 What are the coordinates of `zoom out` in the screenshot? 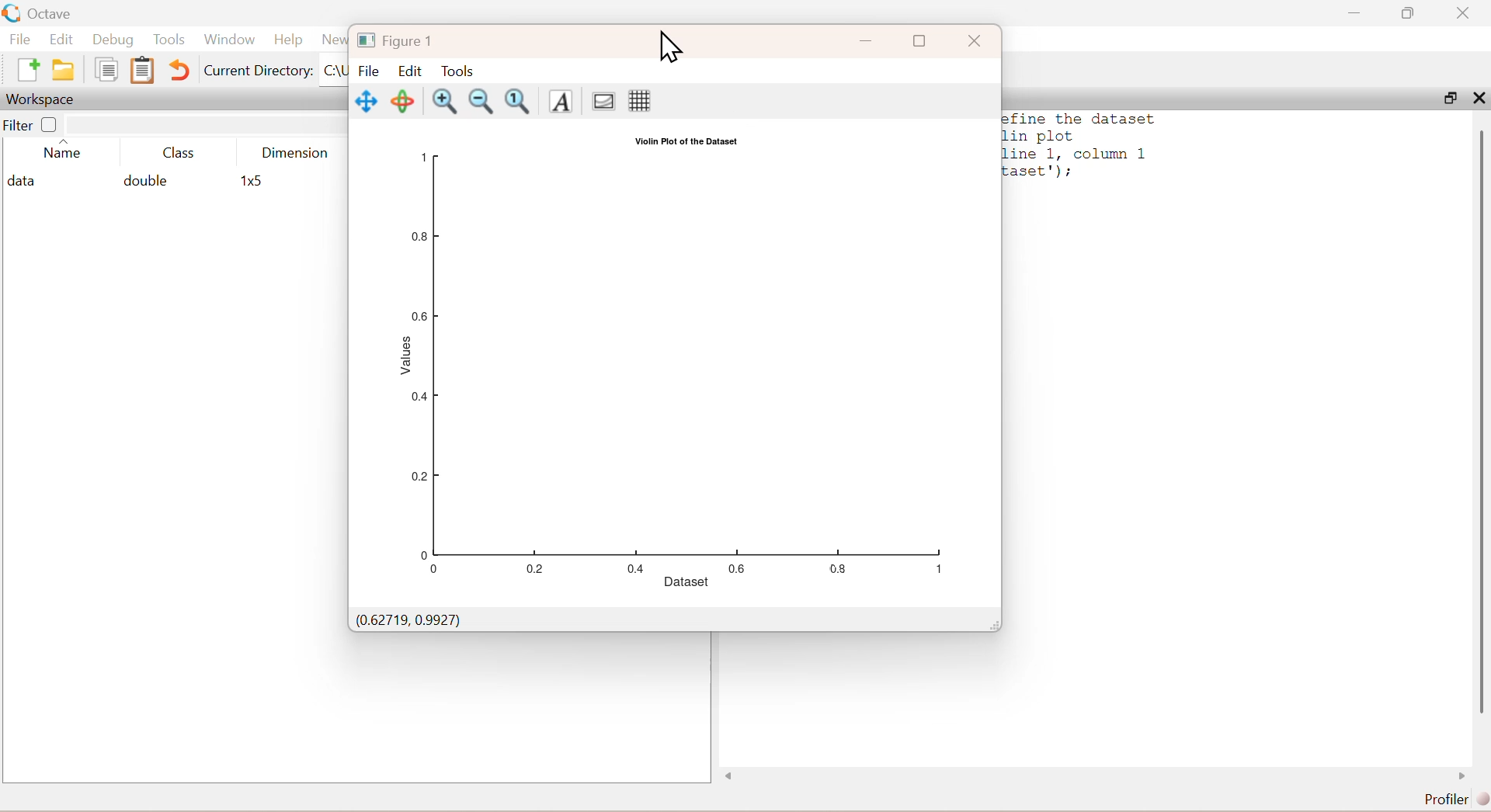 It's located at (481, 102).